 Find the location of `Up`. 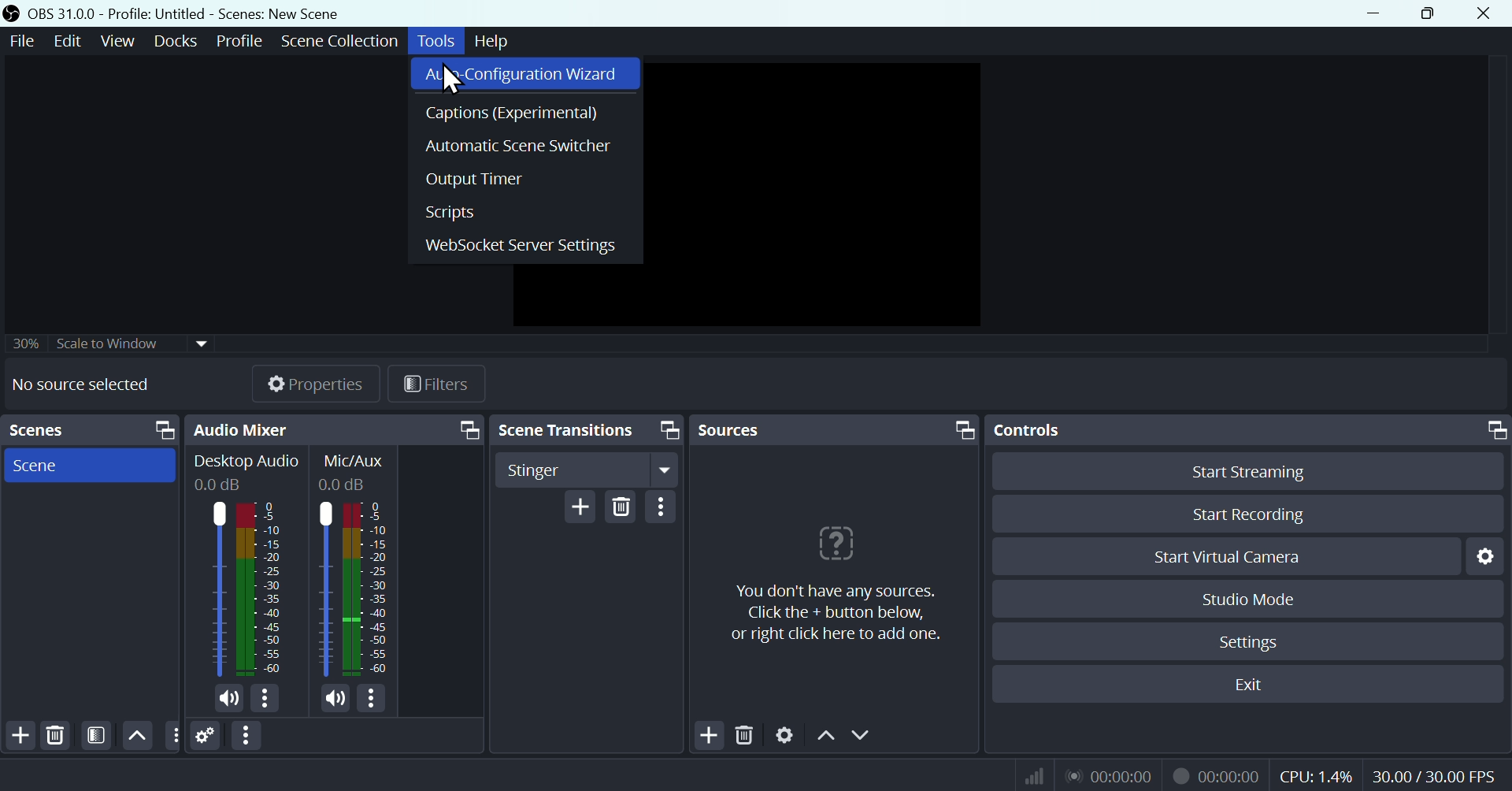

Up is located at coordinates (825, 734).